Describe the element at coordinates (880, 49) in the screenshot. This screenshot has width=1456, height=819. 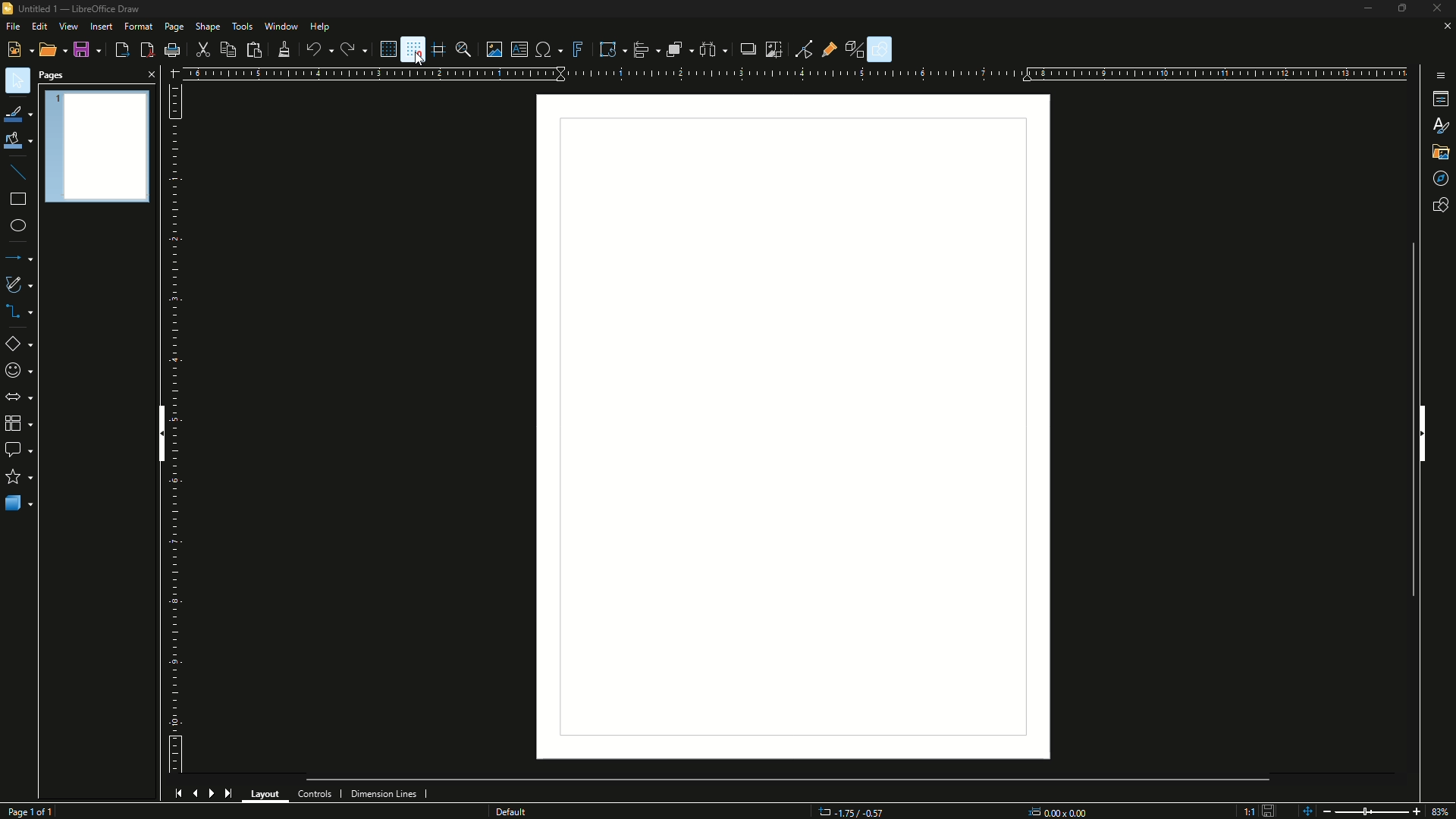
I see `Show Draw Function` at that location.